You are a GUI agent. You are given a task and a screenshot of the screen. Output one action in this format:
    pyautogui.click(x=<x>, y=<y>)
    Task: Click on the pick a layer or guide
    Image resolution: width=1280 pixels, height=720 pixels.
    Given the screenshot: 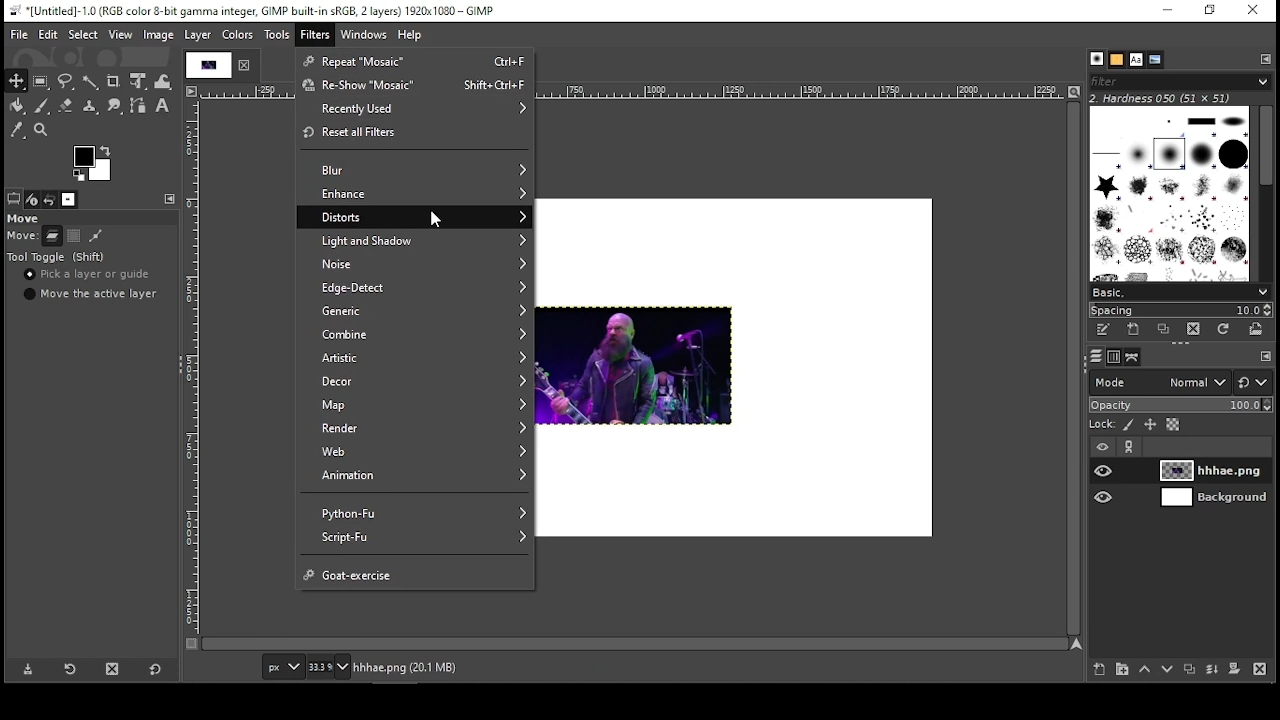 What is the action you would take?
    pyautogui.click(x=89, y=275)
    